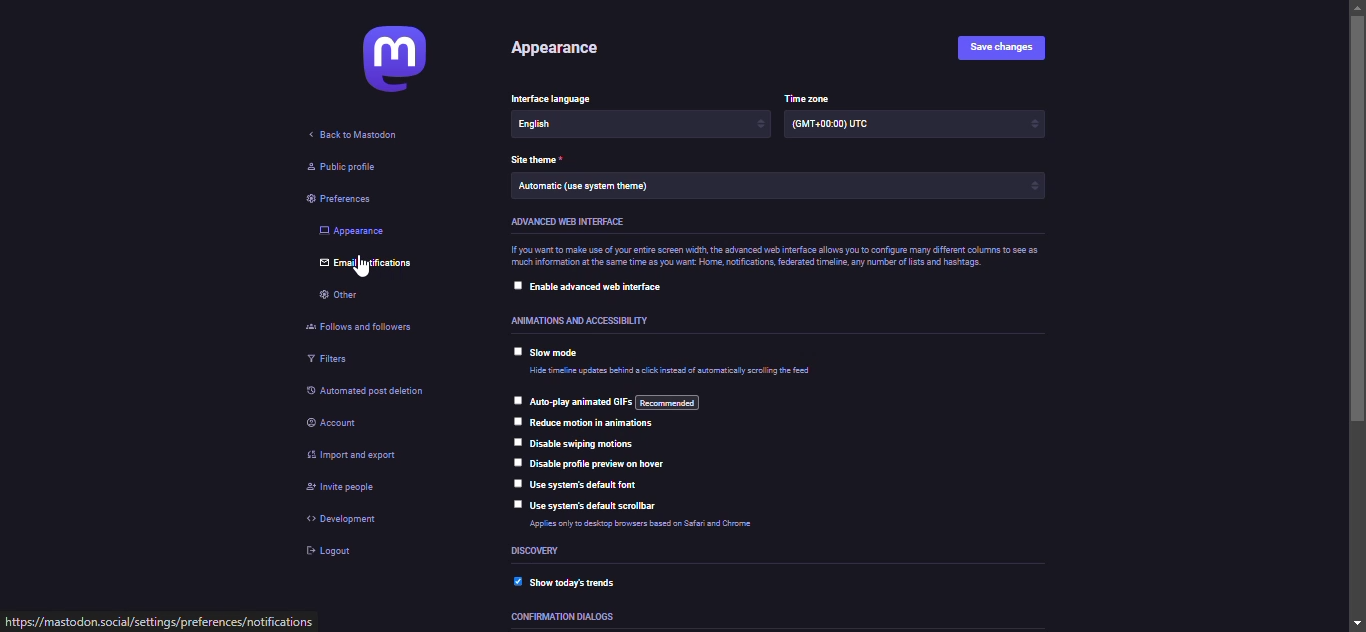 Image resolution: width=1366 pixels, height=632 pixels. I want to click on language, so click(643, 125).